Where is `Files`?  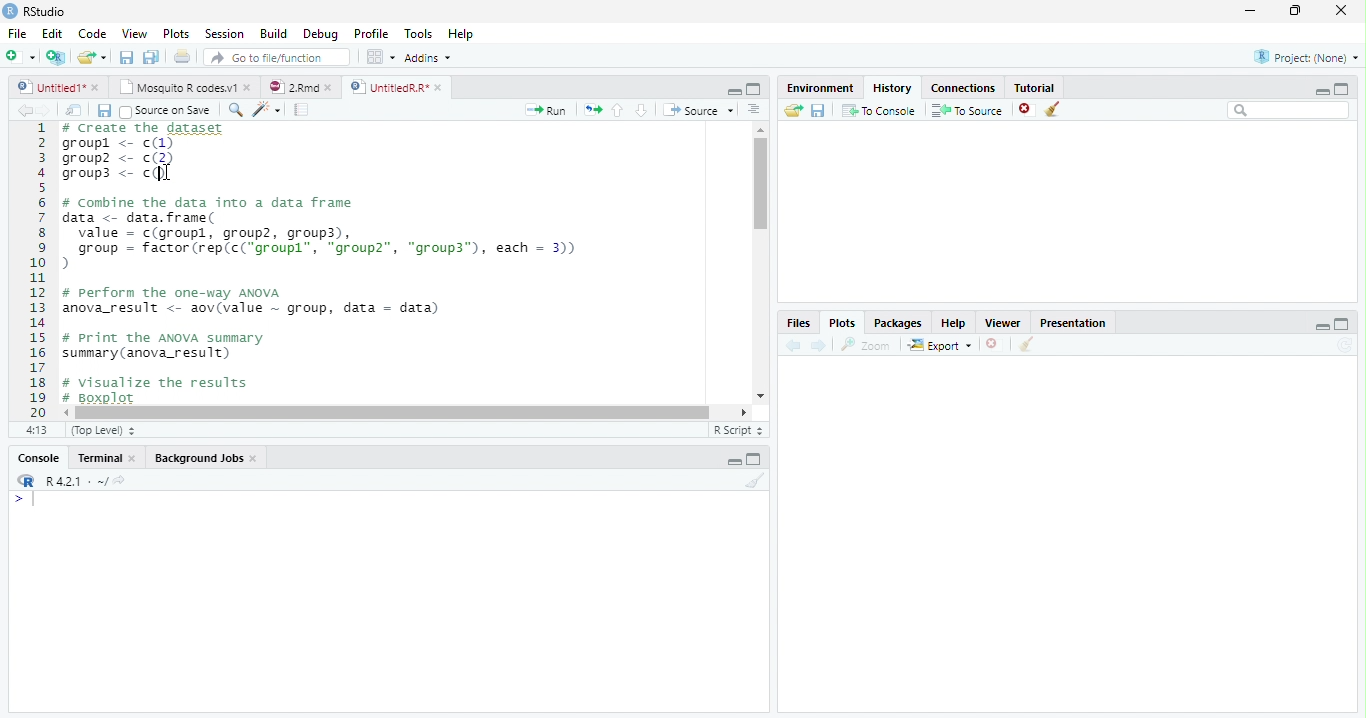 Files is located at coordinates (797, 323).